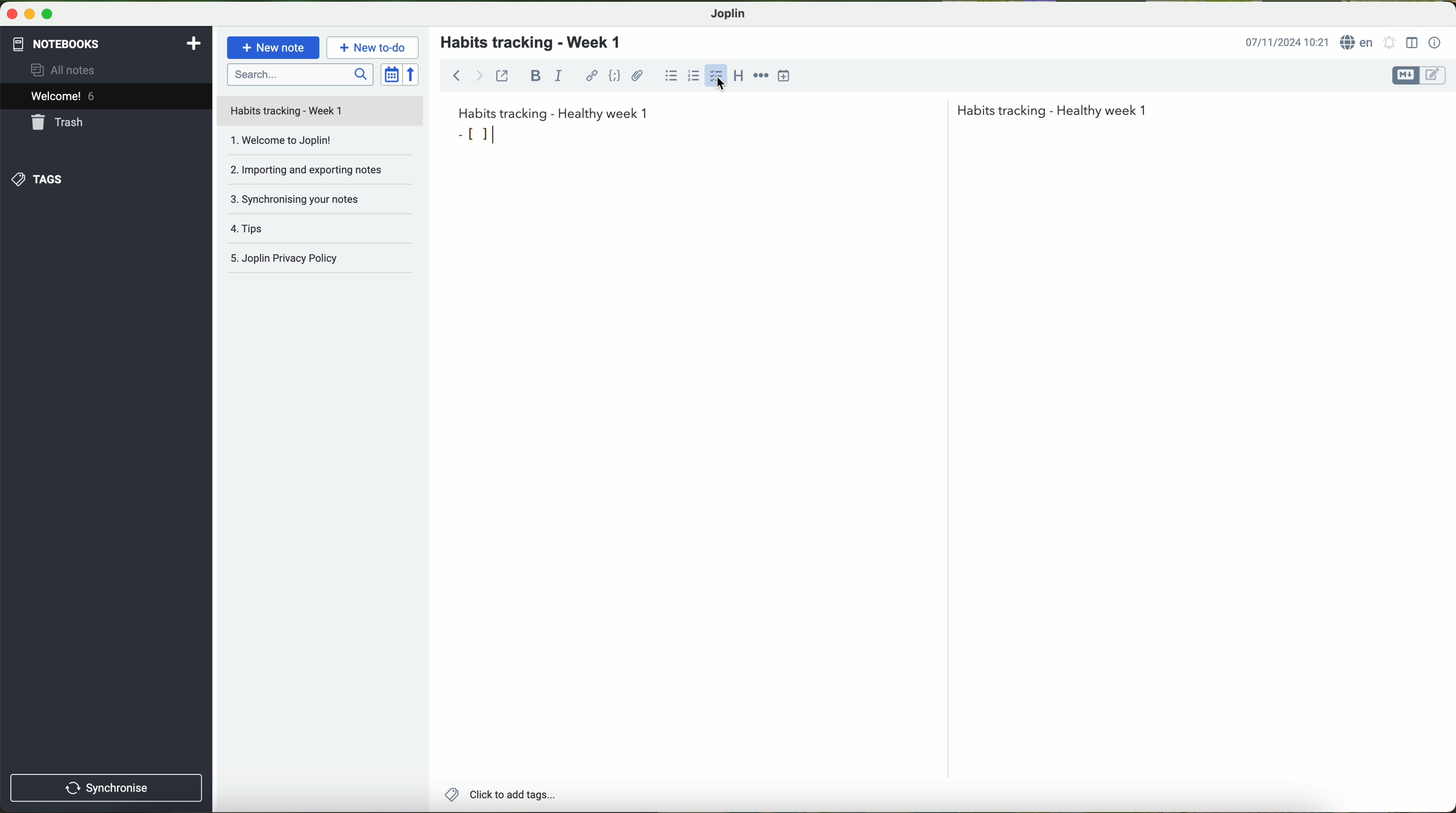  What do you see at coordinates (784, 76) in the screenshot?
I see `insert time` at bounding box center [784, 76].